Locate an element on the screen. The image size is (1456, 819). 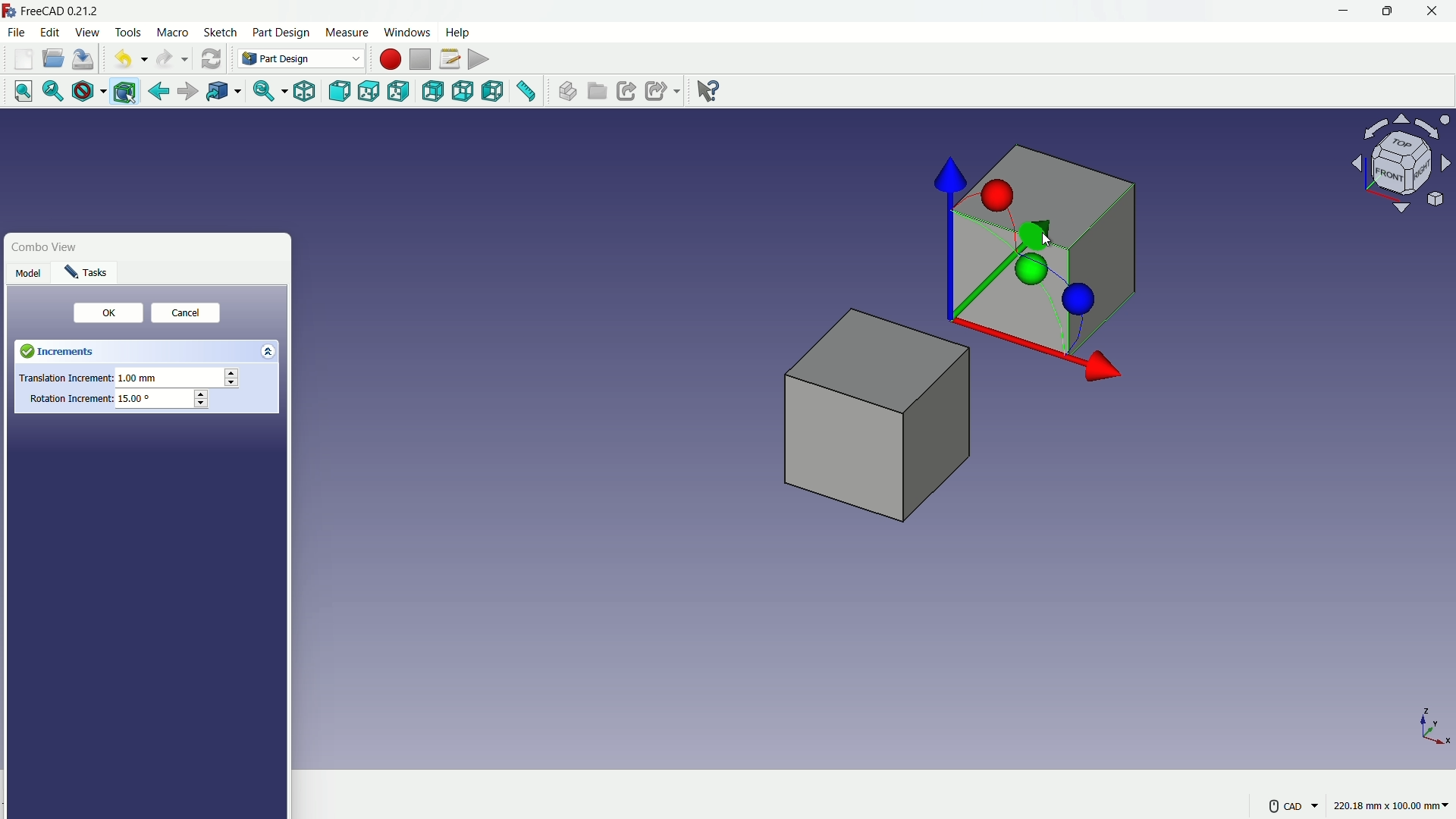
sync view is located at coordinates (263, 93).